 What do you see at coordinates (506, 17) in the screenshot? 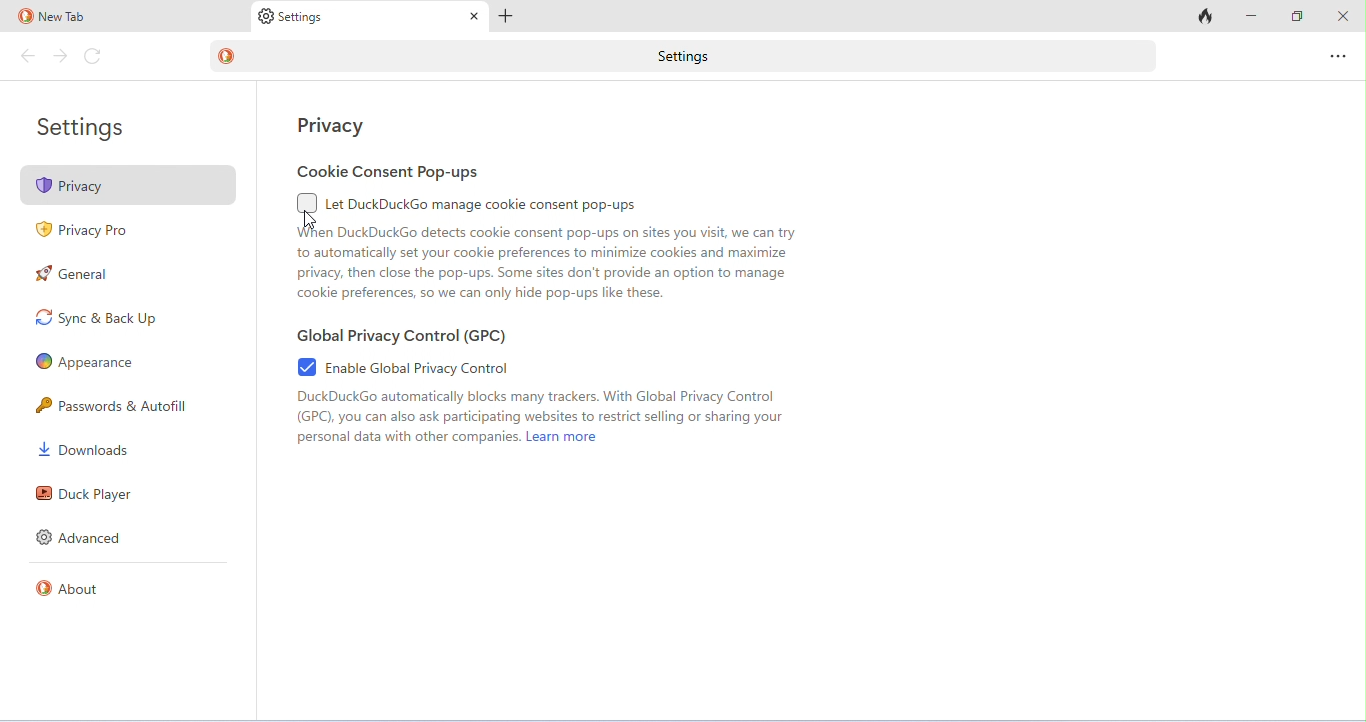
I see `add new tab` at bounding box center [506, 17].